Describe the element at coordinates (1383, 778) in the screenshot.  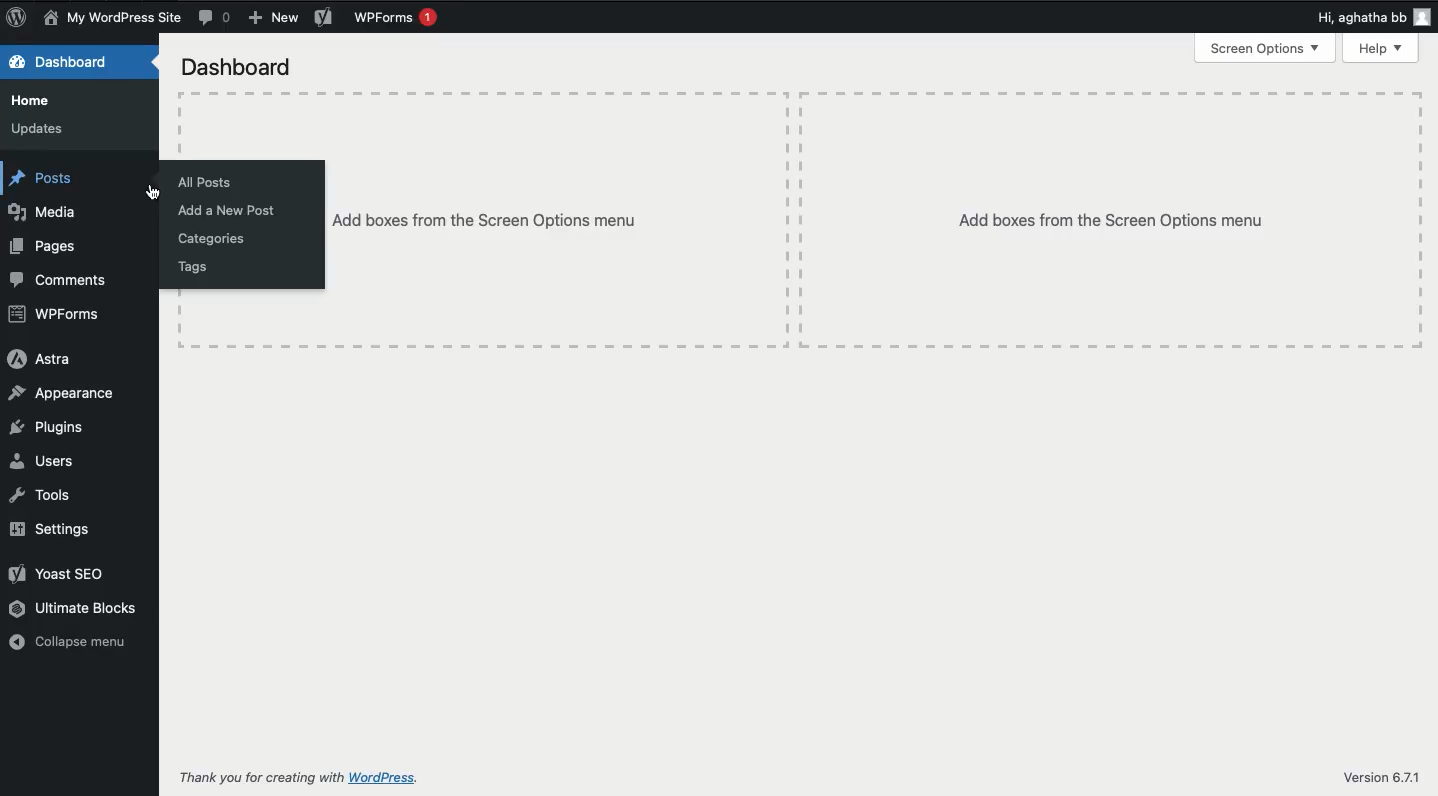
I see `Version 6.7.1` at that location.